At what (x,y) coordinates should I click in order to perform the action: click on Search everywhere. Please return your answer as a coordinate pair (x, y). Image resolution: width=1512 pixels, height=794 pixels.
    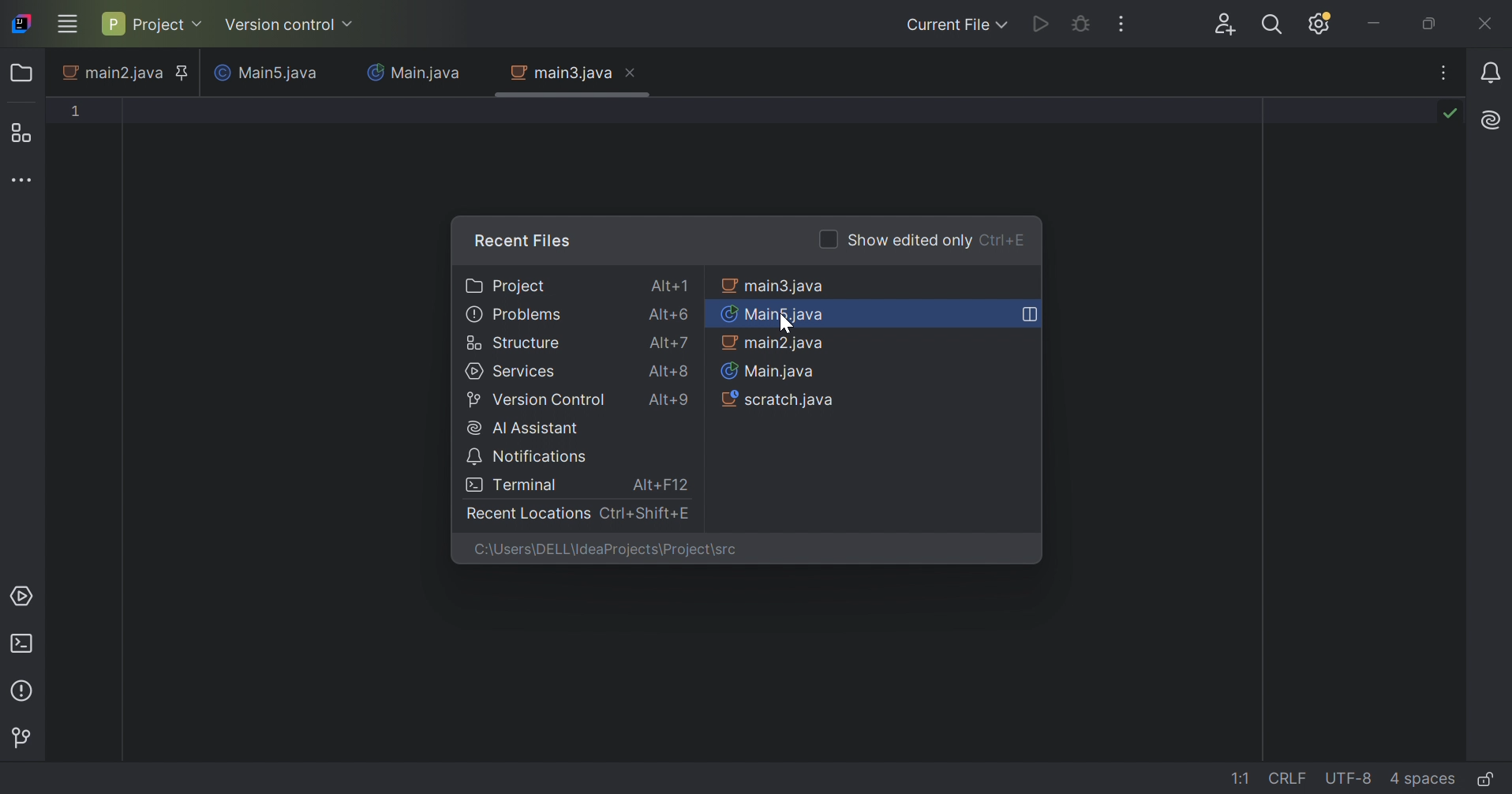
    Looking at the image, I should click on (1273, 24).